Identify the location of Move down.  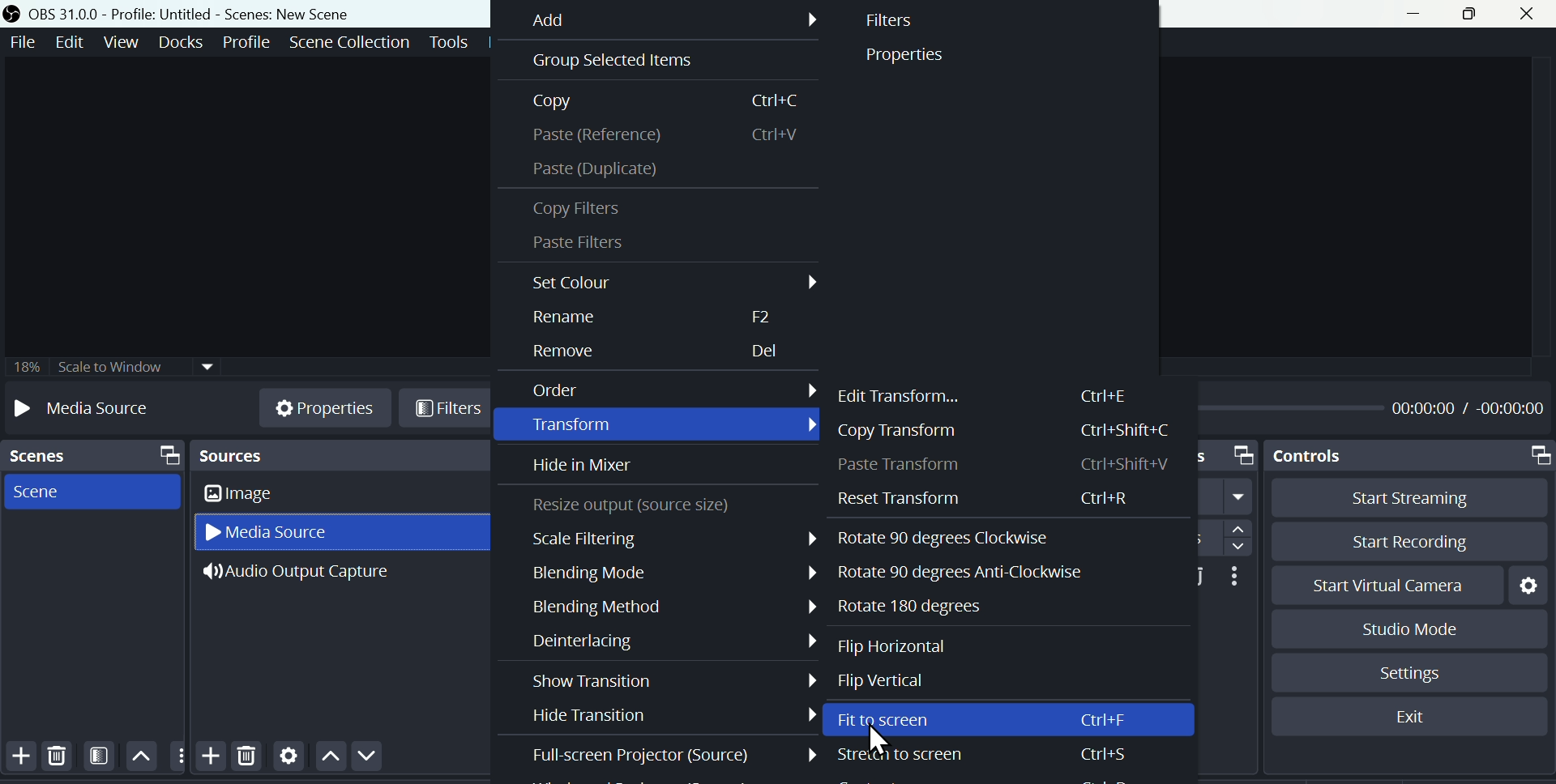
(361, 758).